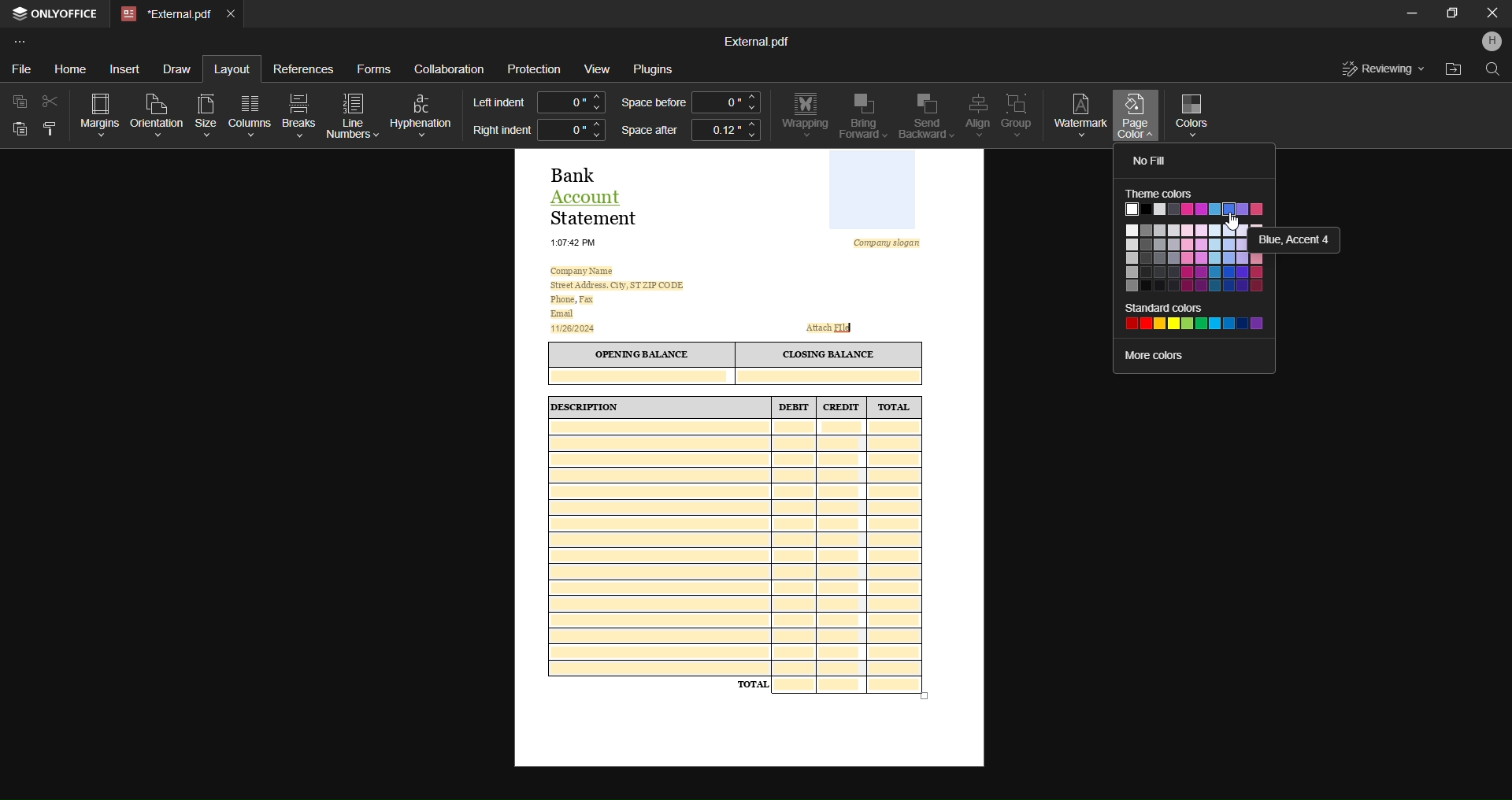 The image size is (1512, 800). Describe the element at coordinates (48, 131) in the screenshot. I see `Copy Styles` at that location.